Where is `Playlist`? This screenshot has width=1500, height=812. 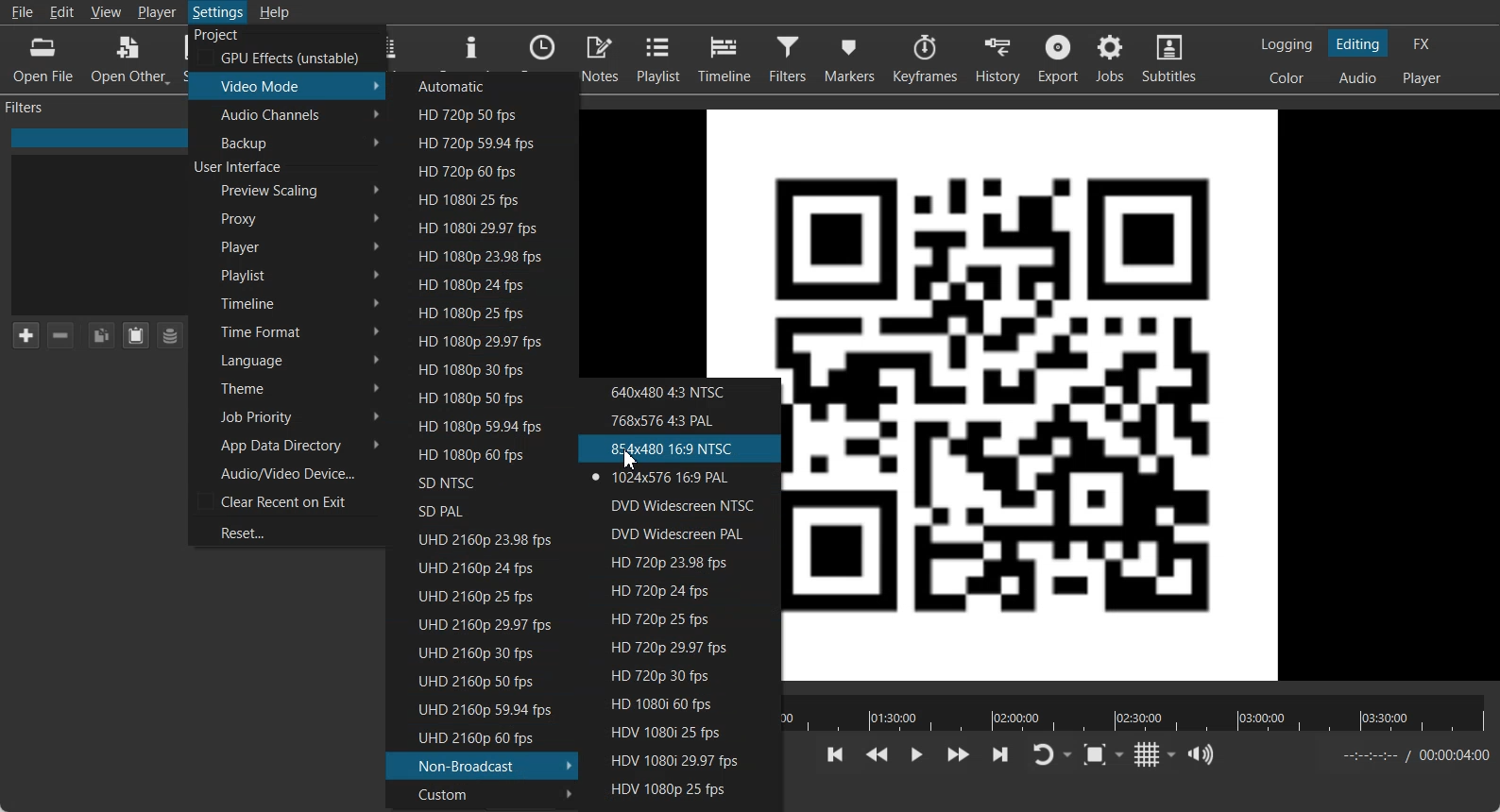 Playlist is located at coordinates (288, 274).